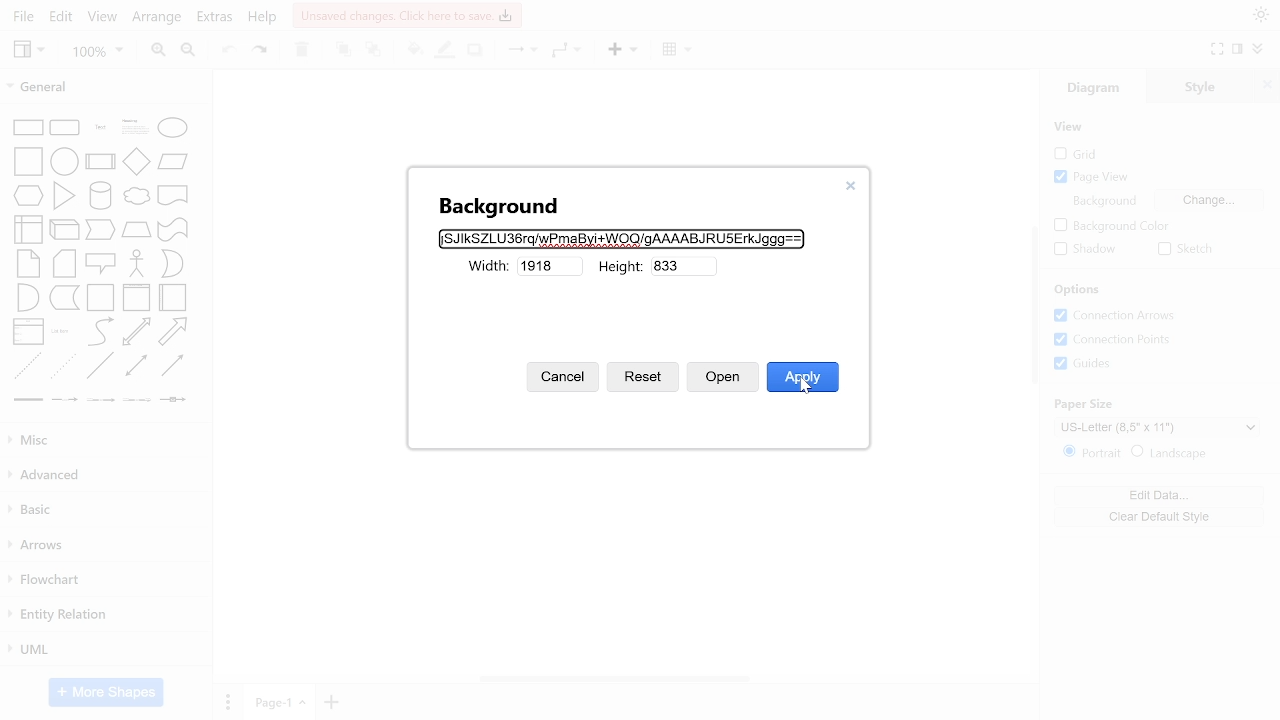  I want to click on cancel, so click(565, 376).